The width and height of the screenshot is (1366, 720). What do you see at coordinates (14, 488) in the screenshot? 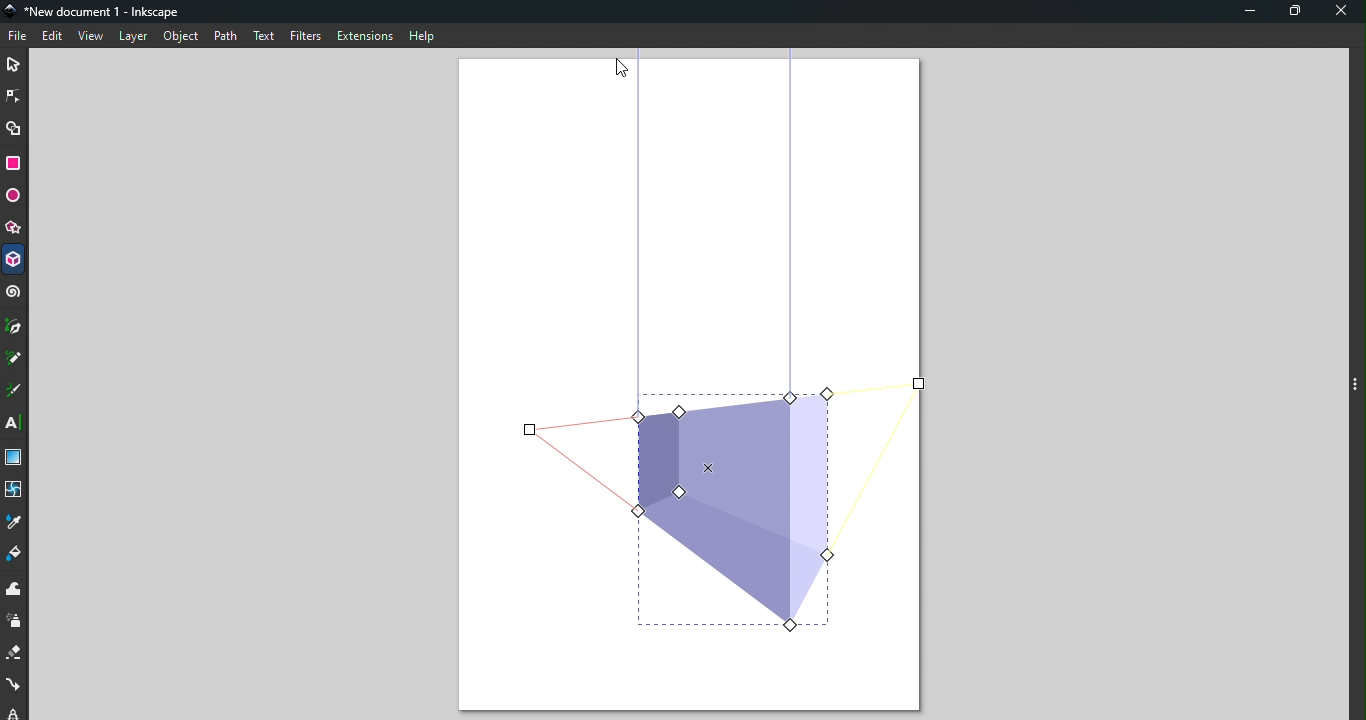
I see `Mesh tool` at bounding box center [14, 488].